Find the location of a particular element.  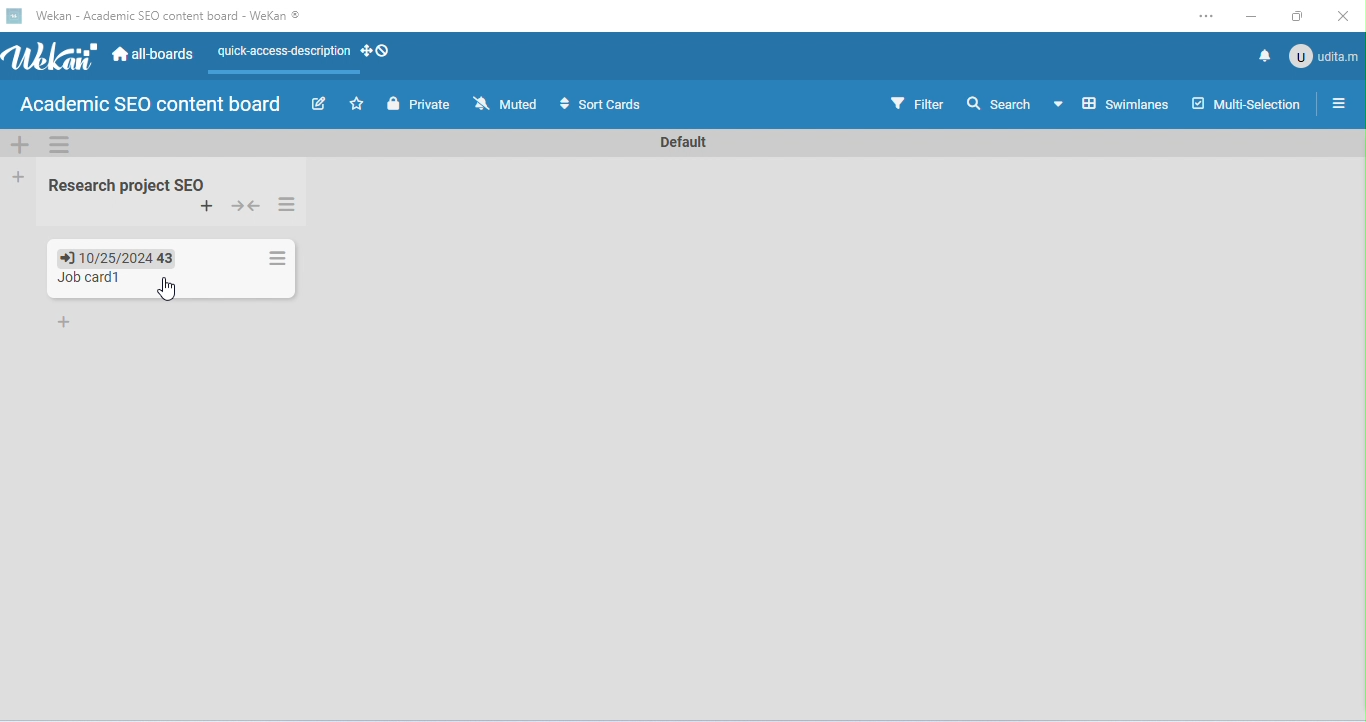

title is located at coordinates (160, 17).